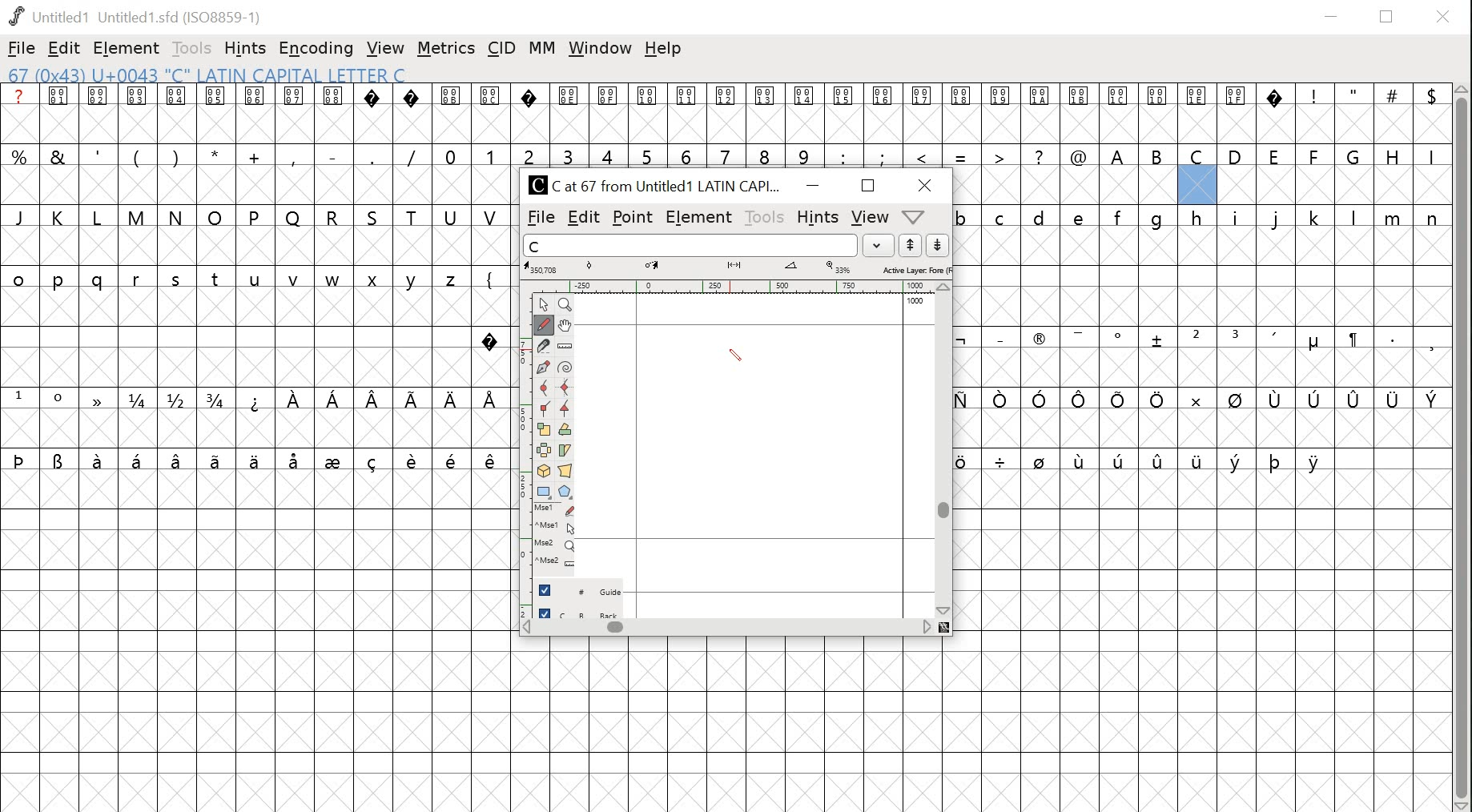 This screenshot has height=812, width=1472. Describe the element at coordinates (868, 215) in the screenshot. I see `view` at that location.